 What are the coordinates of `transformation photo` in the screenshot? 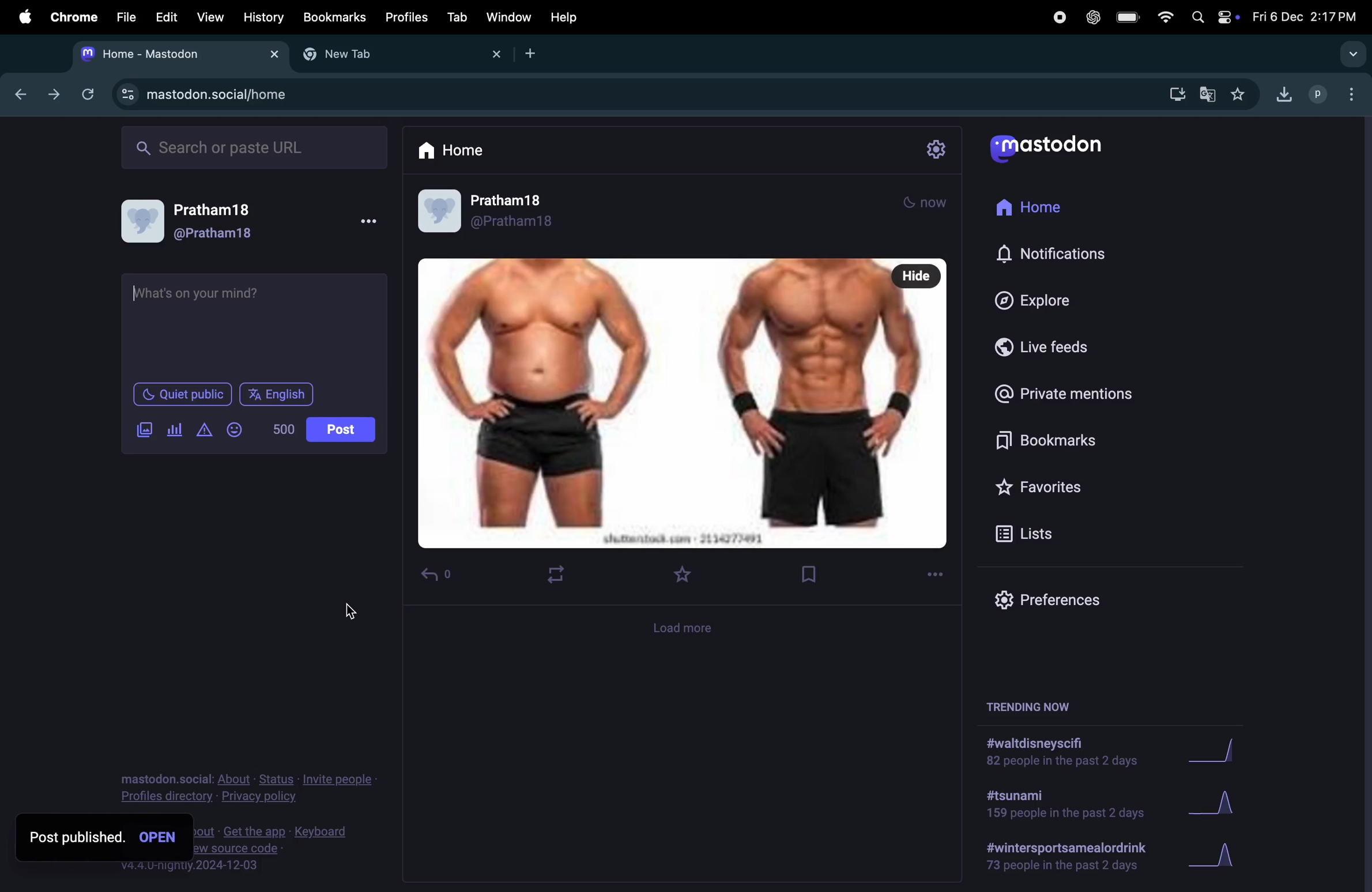 It's located at (683, 404).